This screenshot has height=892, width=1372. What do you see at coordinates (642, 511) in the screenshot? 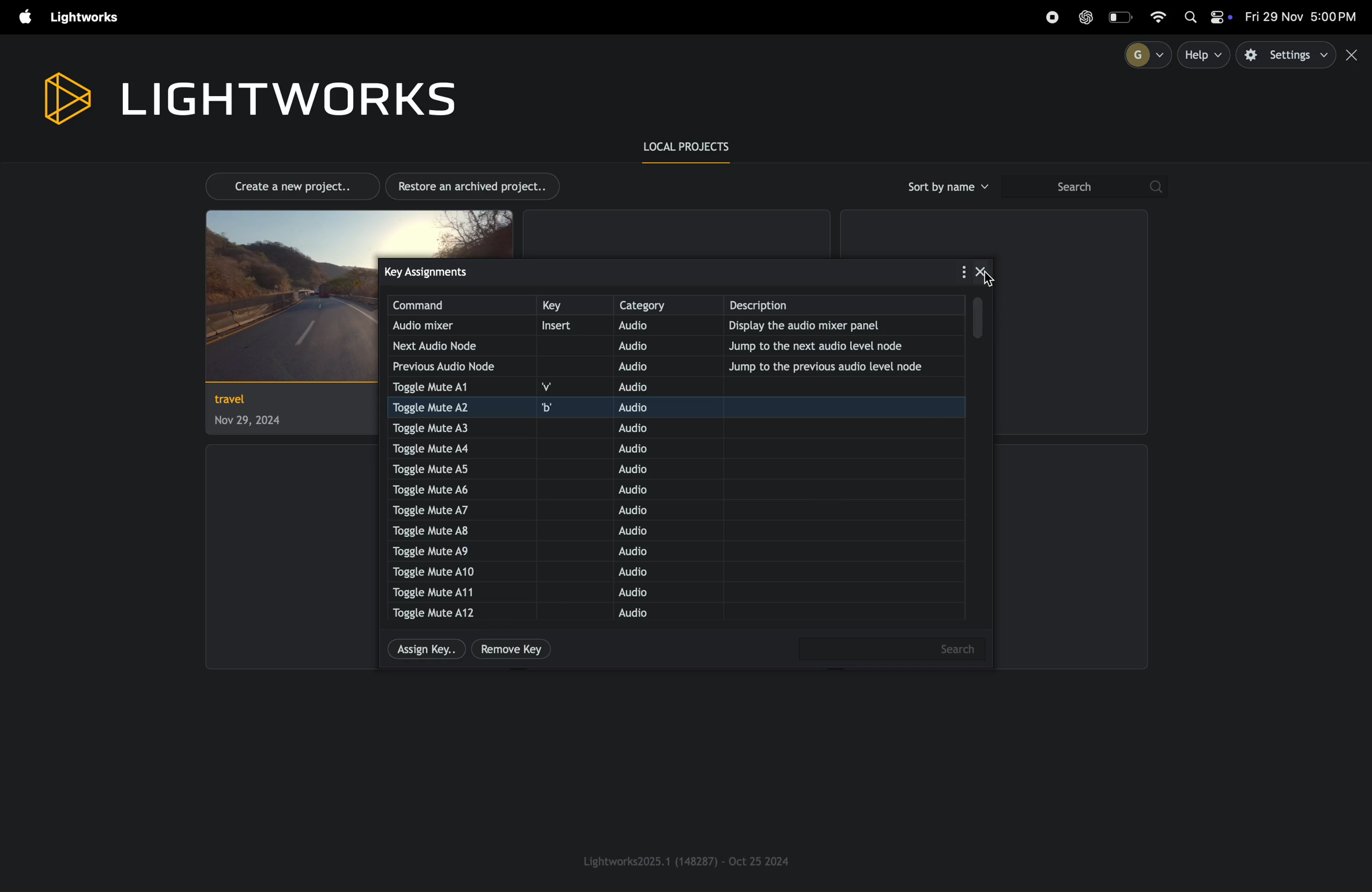
I see `audio` at bounding box center [642, 511].